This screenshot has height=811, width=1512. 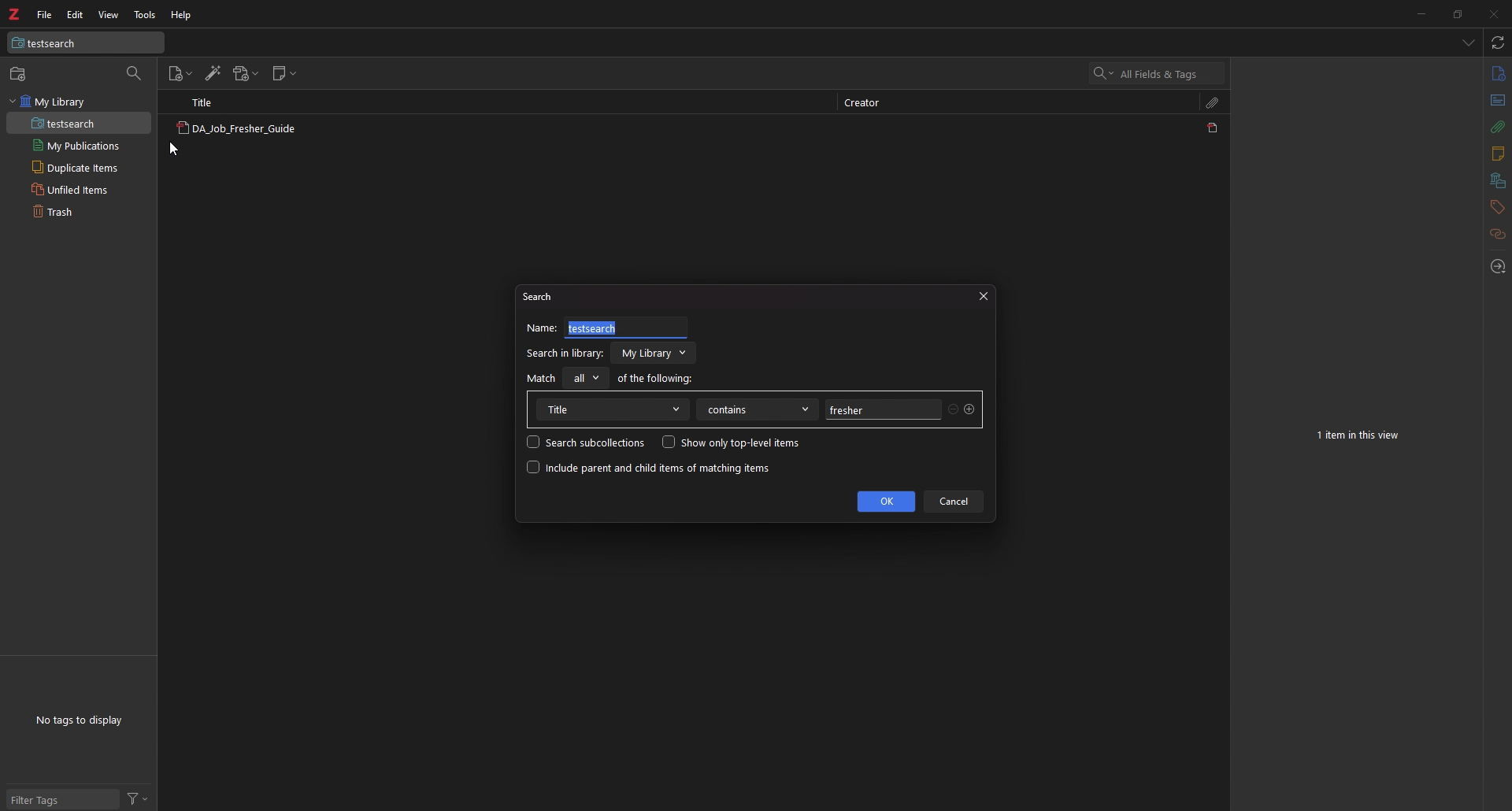 What do you see at coordinates (79, 720) in the screenshot?
I see `No tags to display` at bounding box center [79, 720].